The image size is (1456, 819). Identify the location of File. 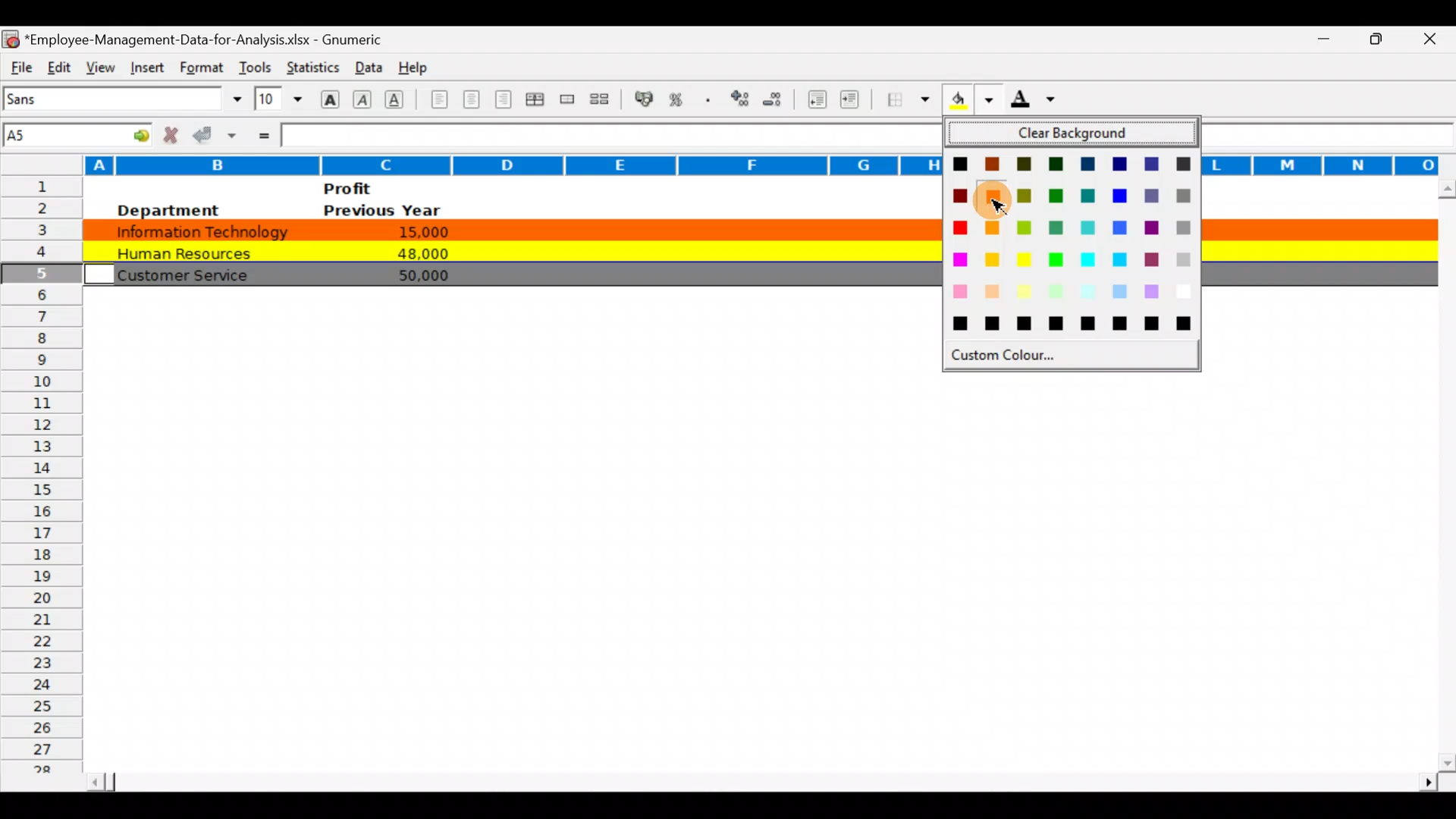
(20, 65).